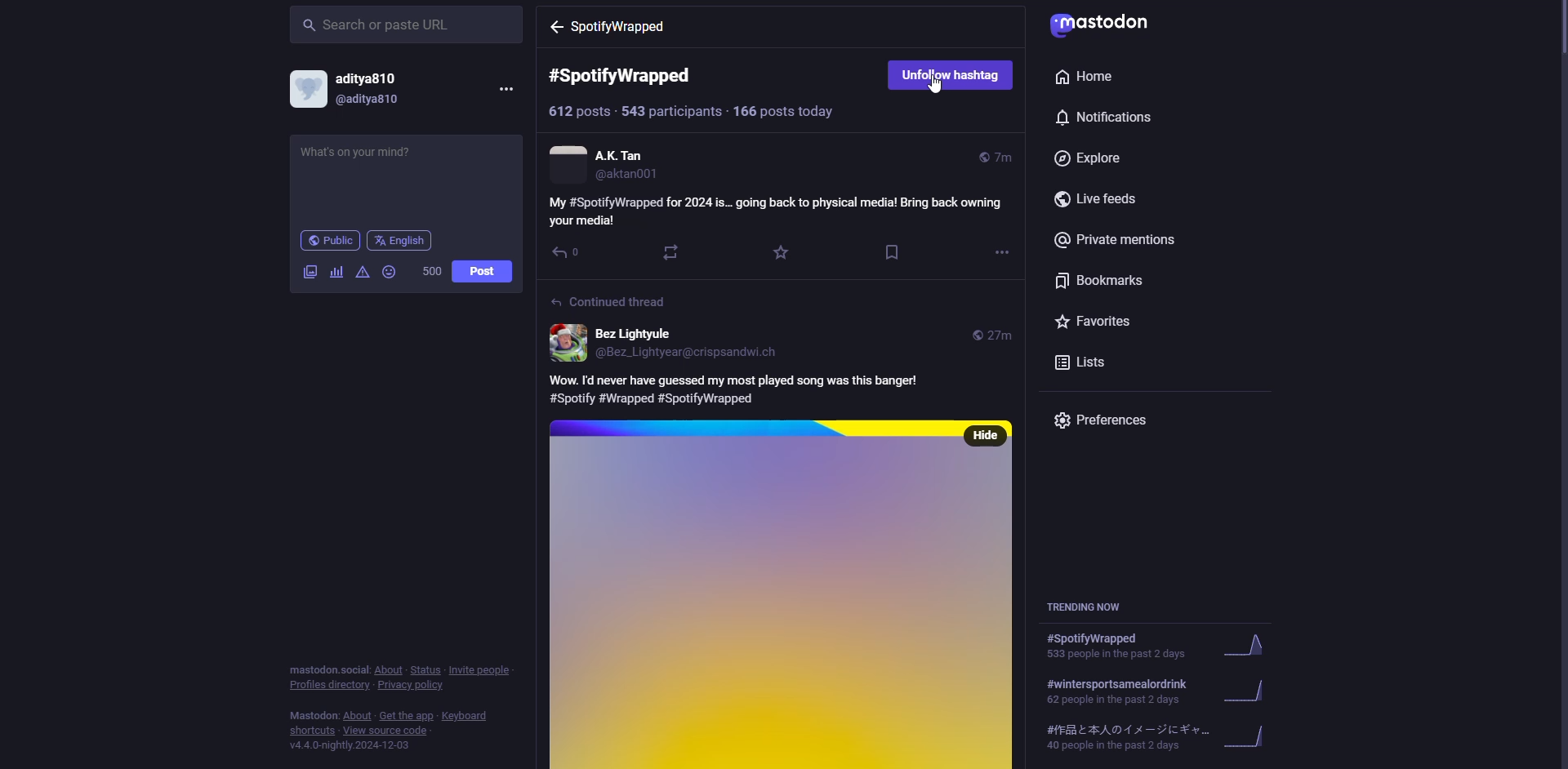 This screenshot has height=769, width=1568. What do you see at coordinates (741, 387) in the screenshot?
I see `post` at bounding box center [741, 387].